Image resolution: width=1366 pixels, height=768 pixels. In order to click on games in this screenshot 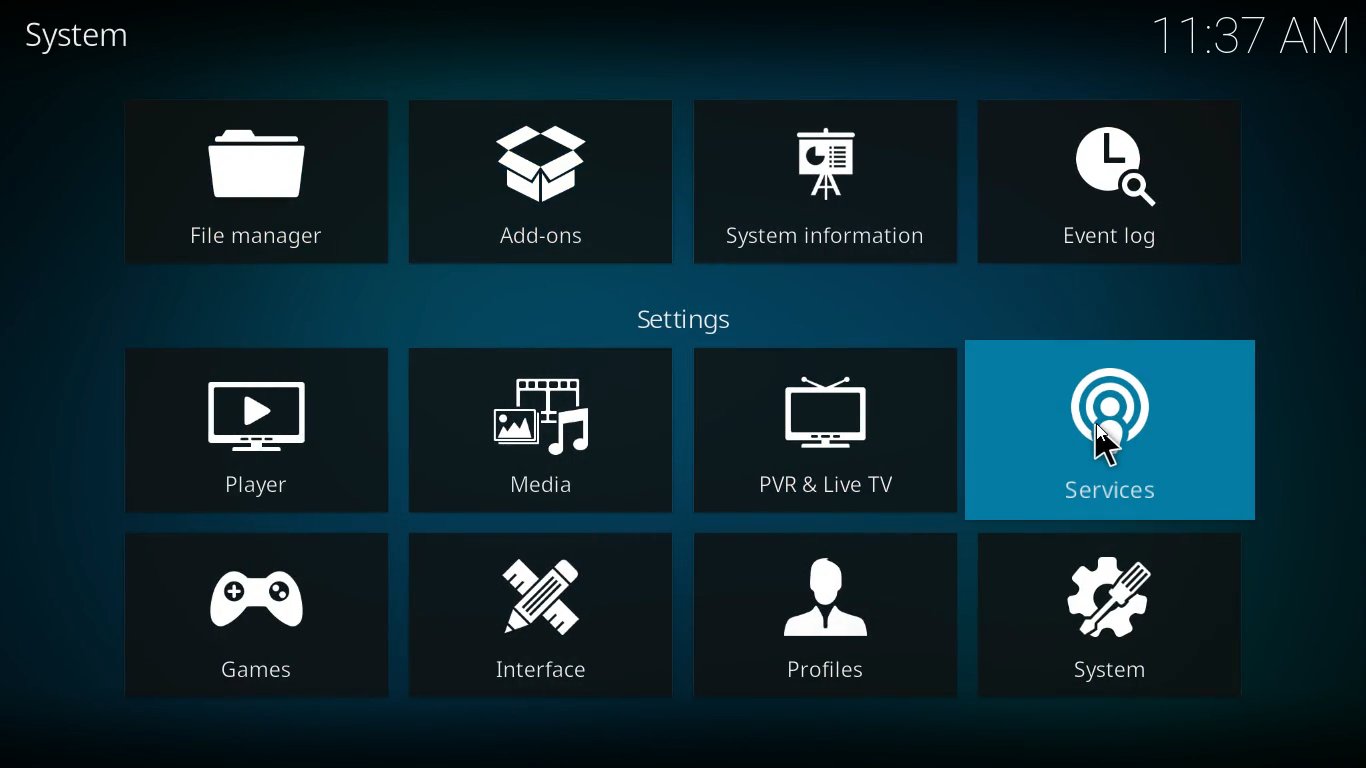, I will do `click(254, 614)`.